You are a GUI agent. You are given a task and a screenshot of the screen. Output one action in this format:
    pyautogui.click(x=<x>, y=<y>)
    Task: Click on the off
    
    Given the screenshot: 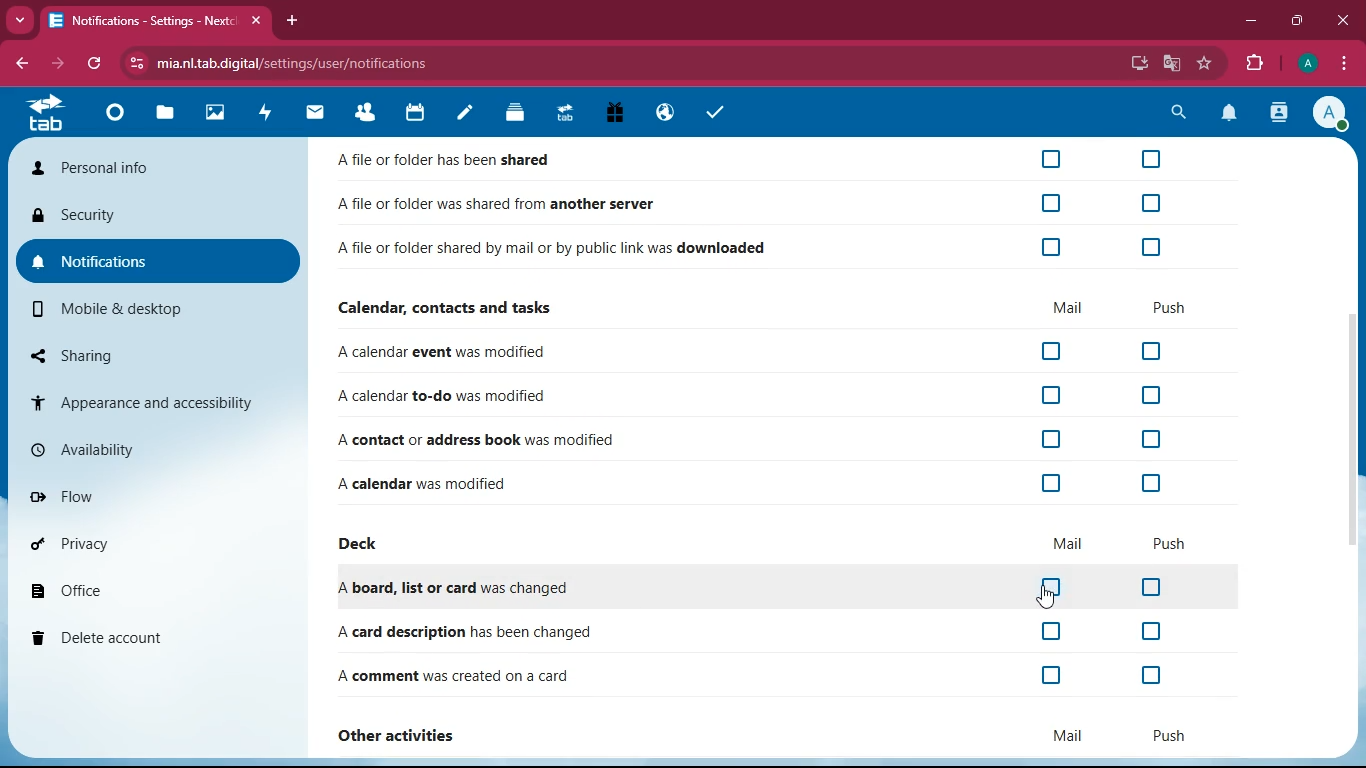 What is the action you would take?
    pyautogui.click(x=1052, y=673)
    